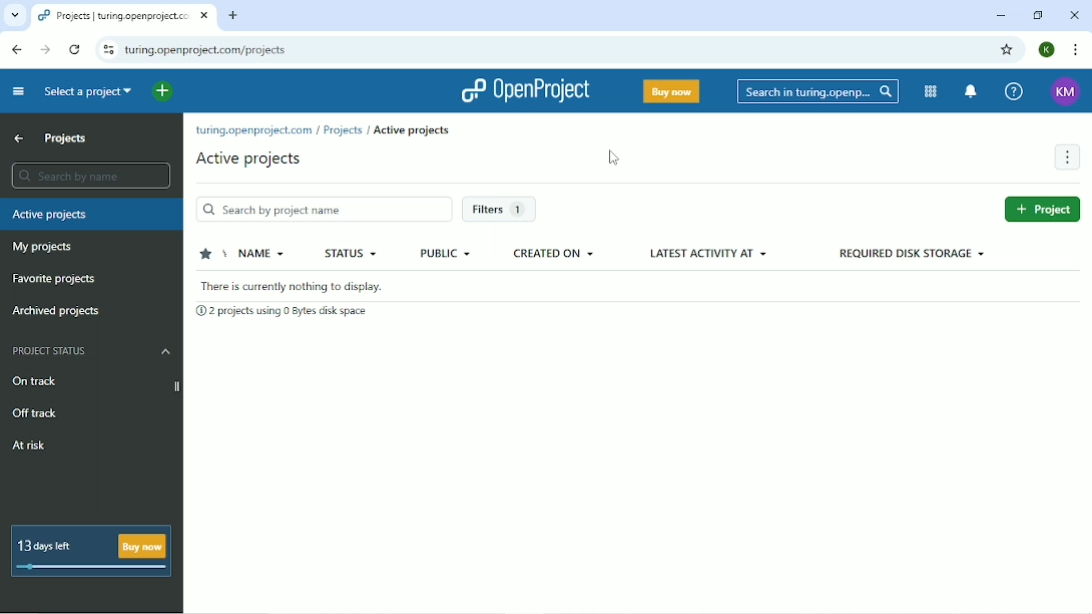 Image resolution: width=1092 pixels, height=614 pixels. I want to click on Modules, so click(931, 91).